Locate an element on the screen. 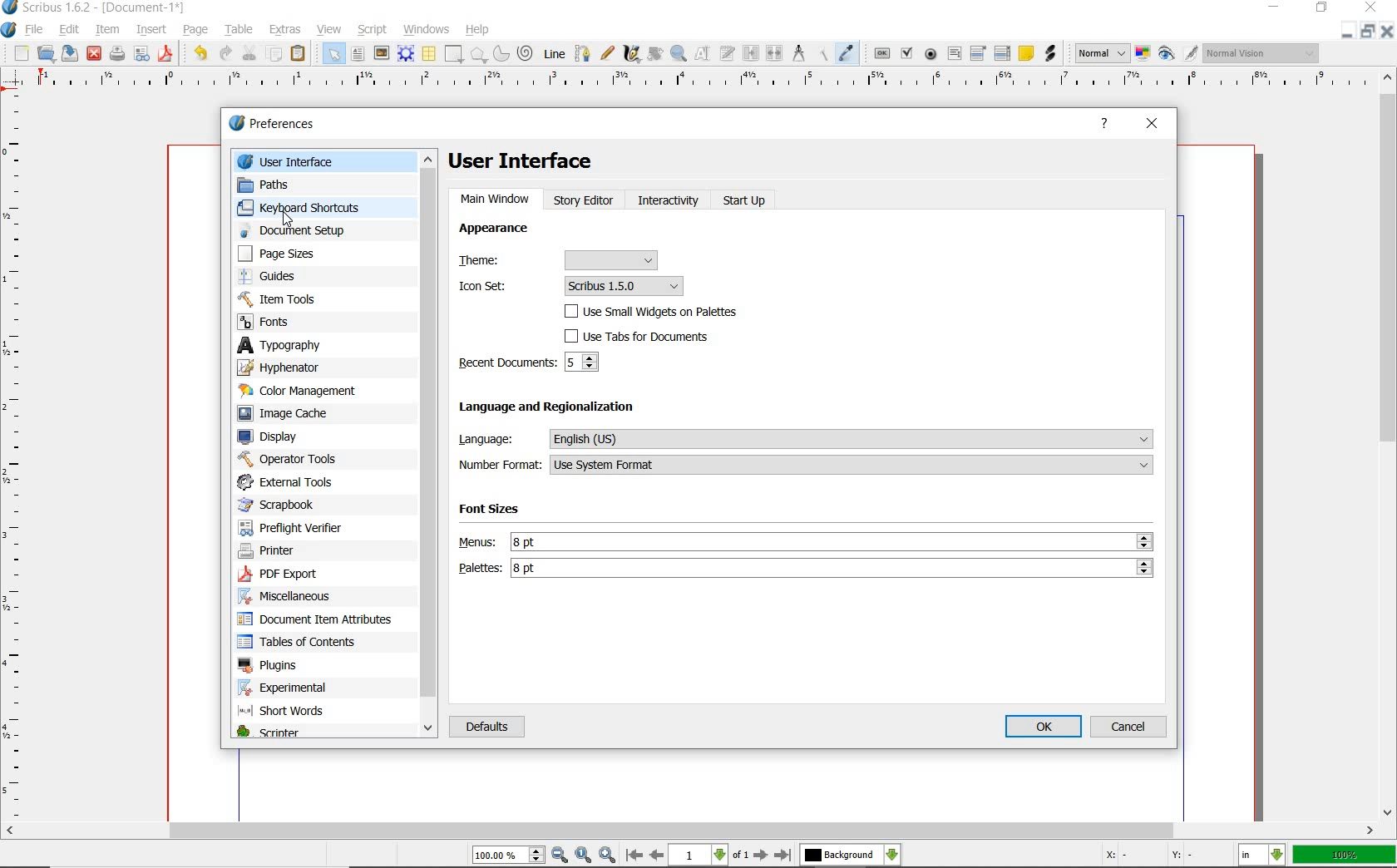 Image resolution: width=1397 pixels, height=868 pixels. open is located at coordinates (46, 52).